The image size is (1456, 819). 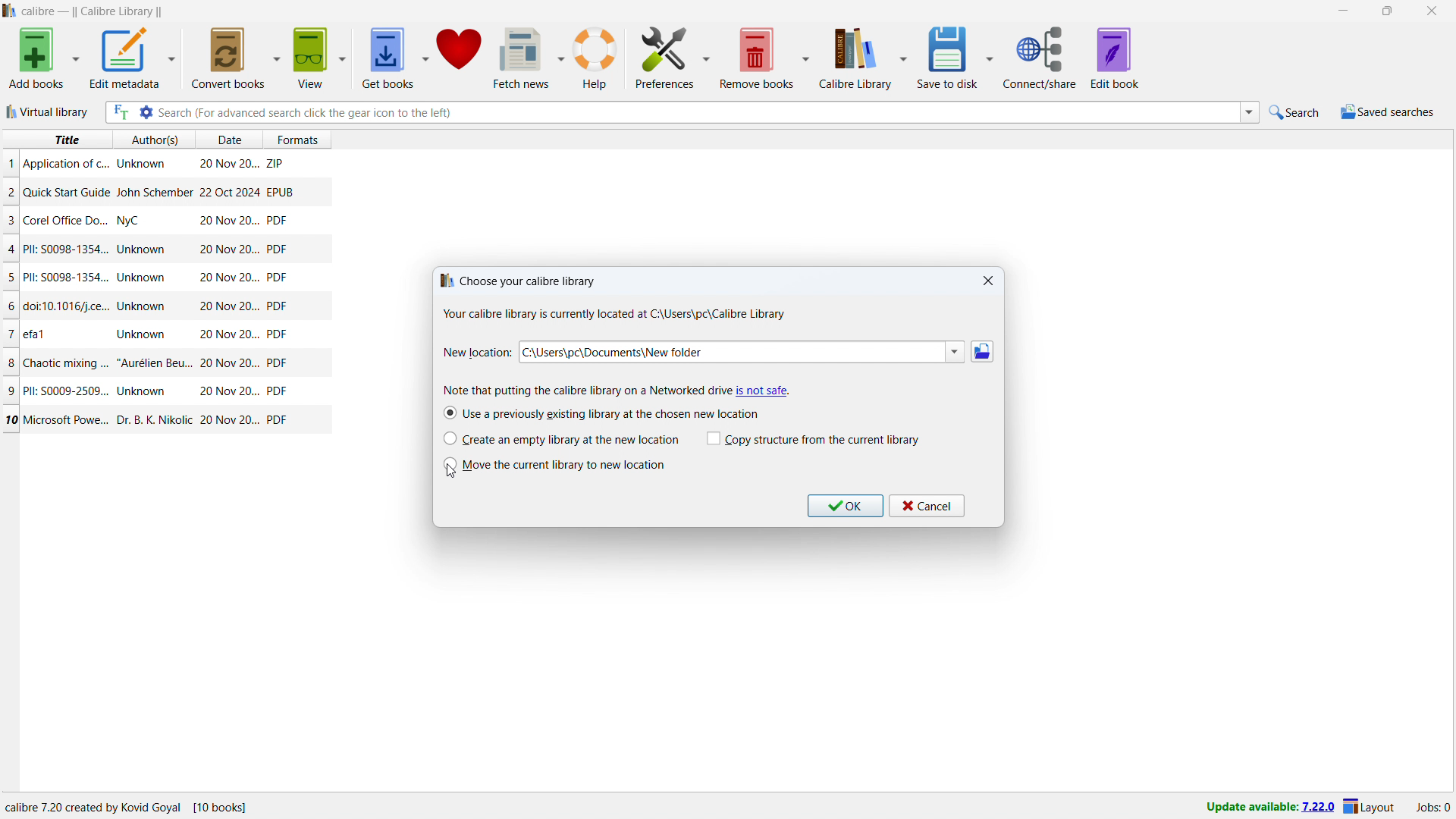 What do you see at coordinates (1387, 11) in the screenshot?
I see `maximize` at bounding box center [1387, 11].